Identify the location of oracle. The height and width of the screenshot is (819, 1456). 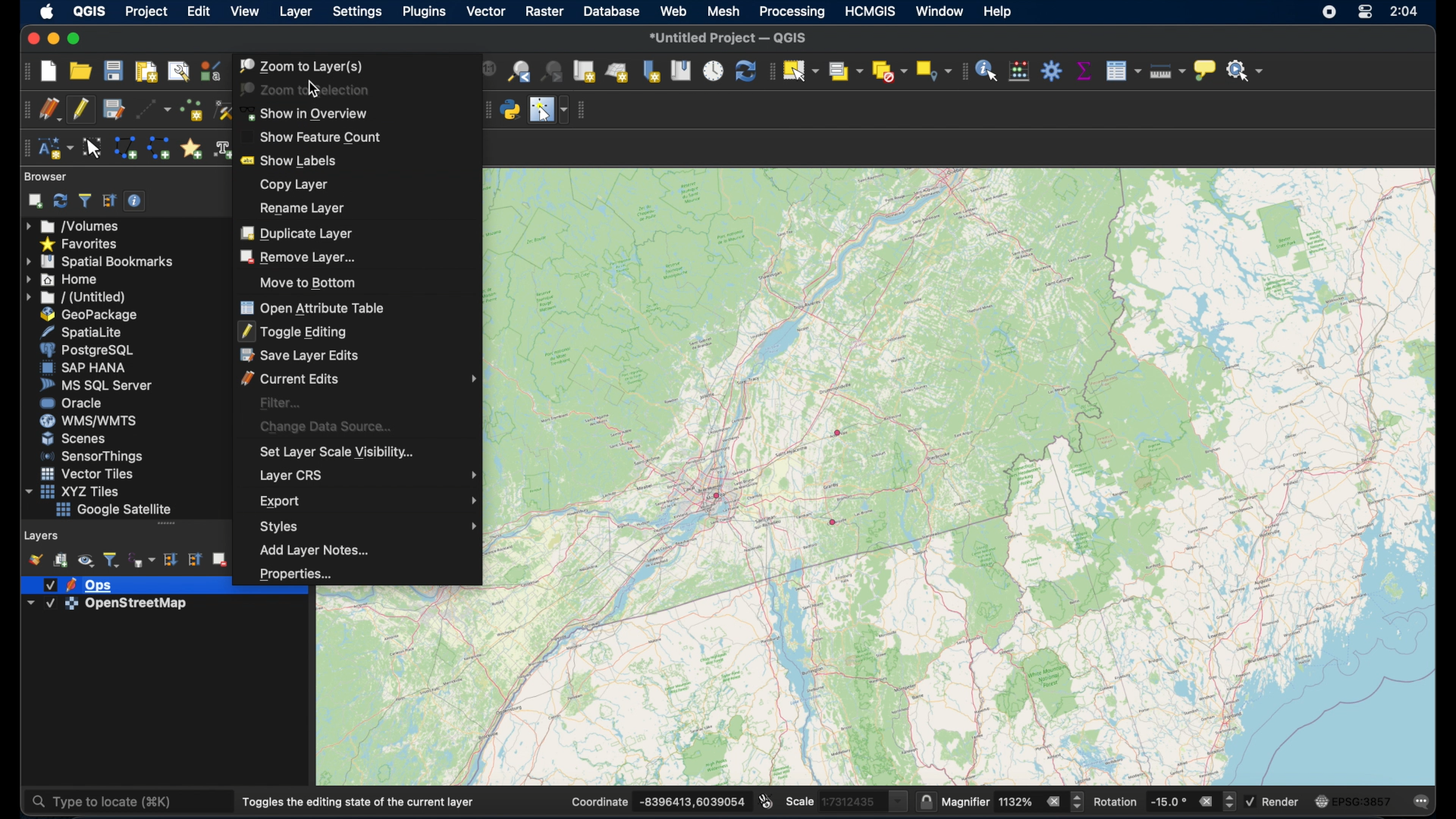
(70, 402).